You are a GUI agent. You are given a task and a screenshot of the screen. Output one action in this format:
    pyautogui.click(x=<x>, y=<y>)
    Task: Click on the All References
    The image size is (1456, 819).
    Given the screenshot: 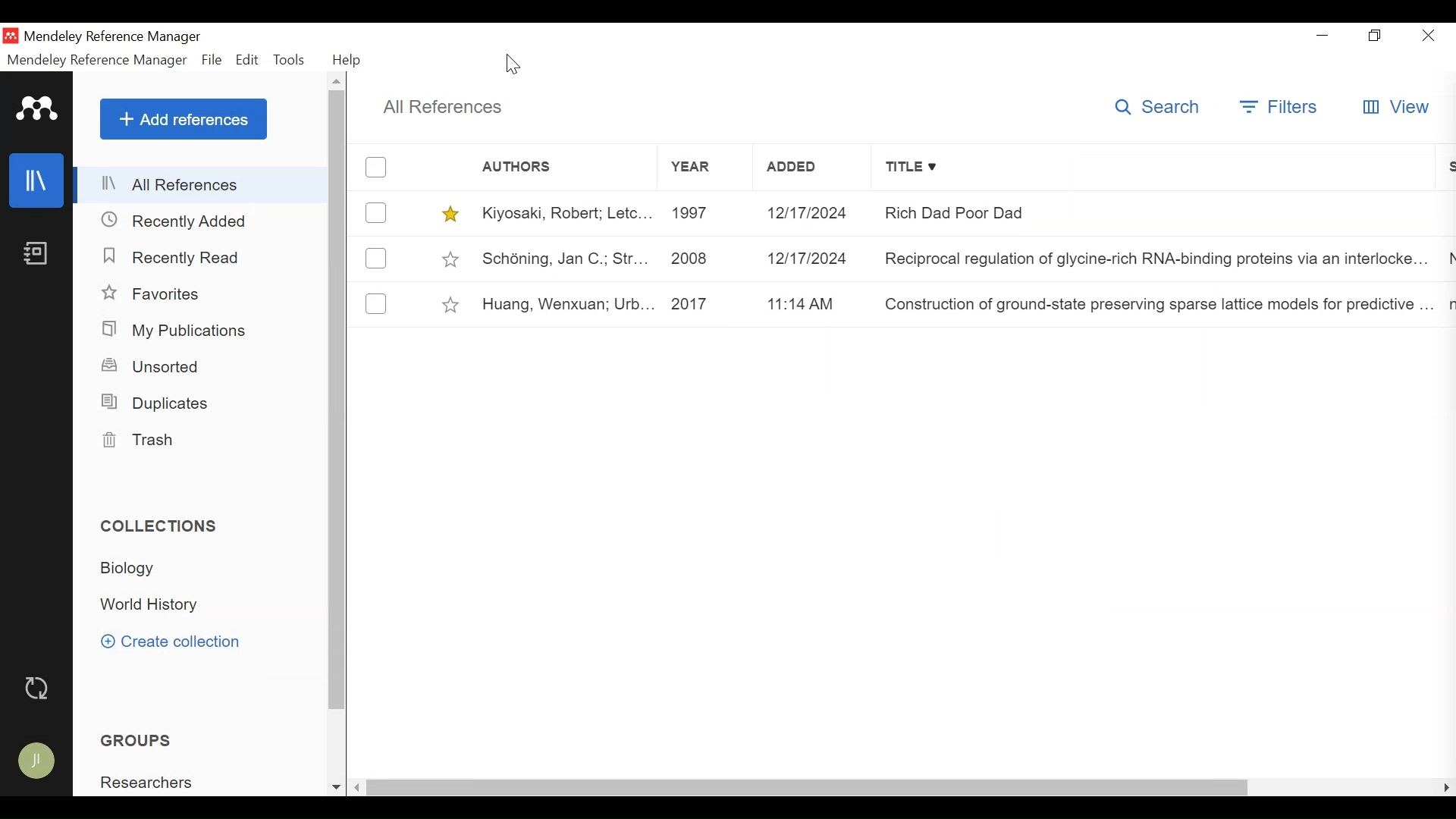 What is the action you would take?
    pyautogui.click(x=450, y=108)
    